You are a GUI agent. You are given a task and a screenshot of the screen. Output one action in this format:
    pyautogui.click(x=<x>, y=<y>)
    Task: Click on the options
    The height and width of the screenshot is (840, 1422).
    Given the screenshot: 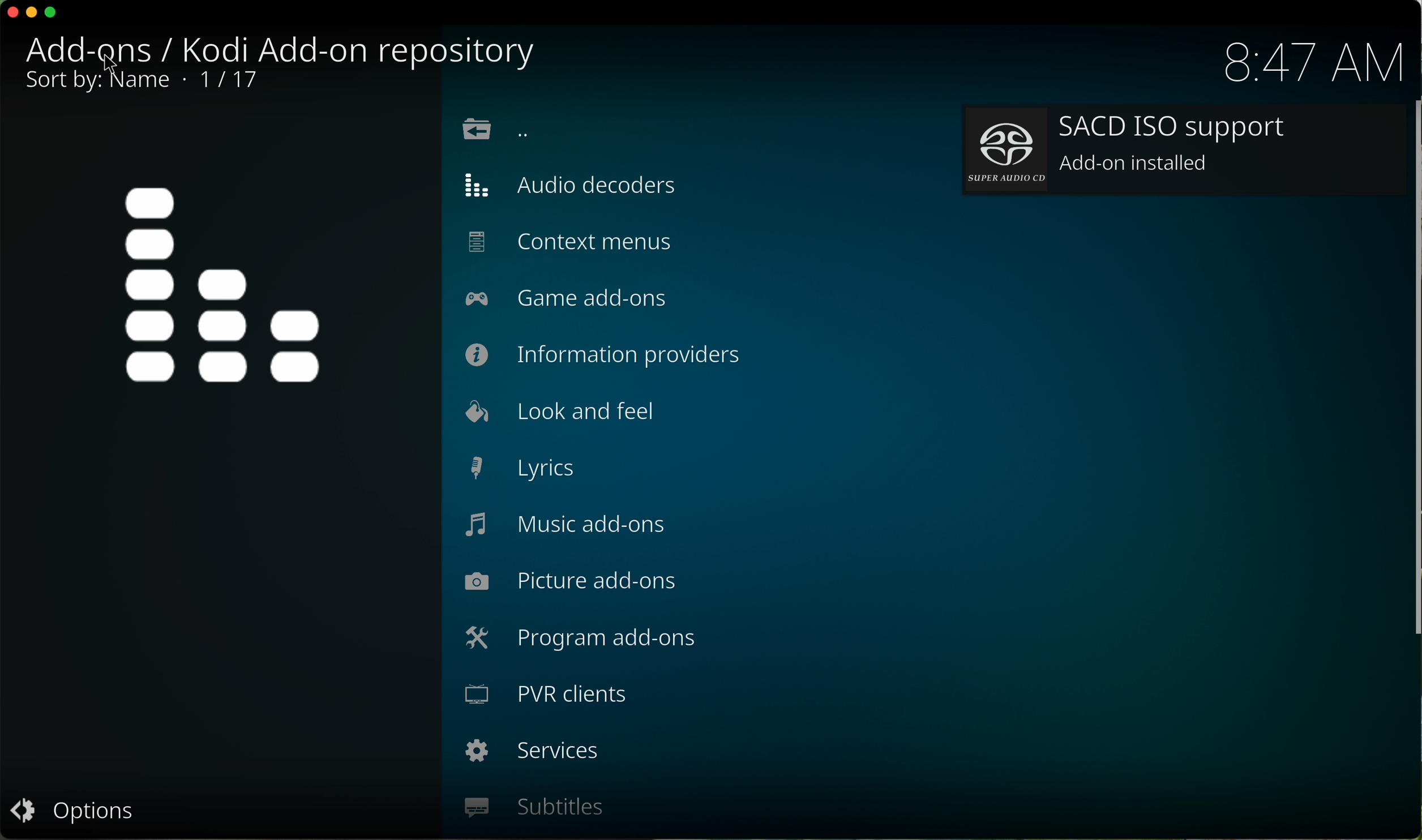 What is the action you would take?
    pyautogui.click(x=72, y=815)
    